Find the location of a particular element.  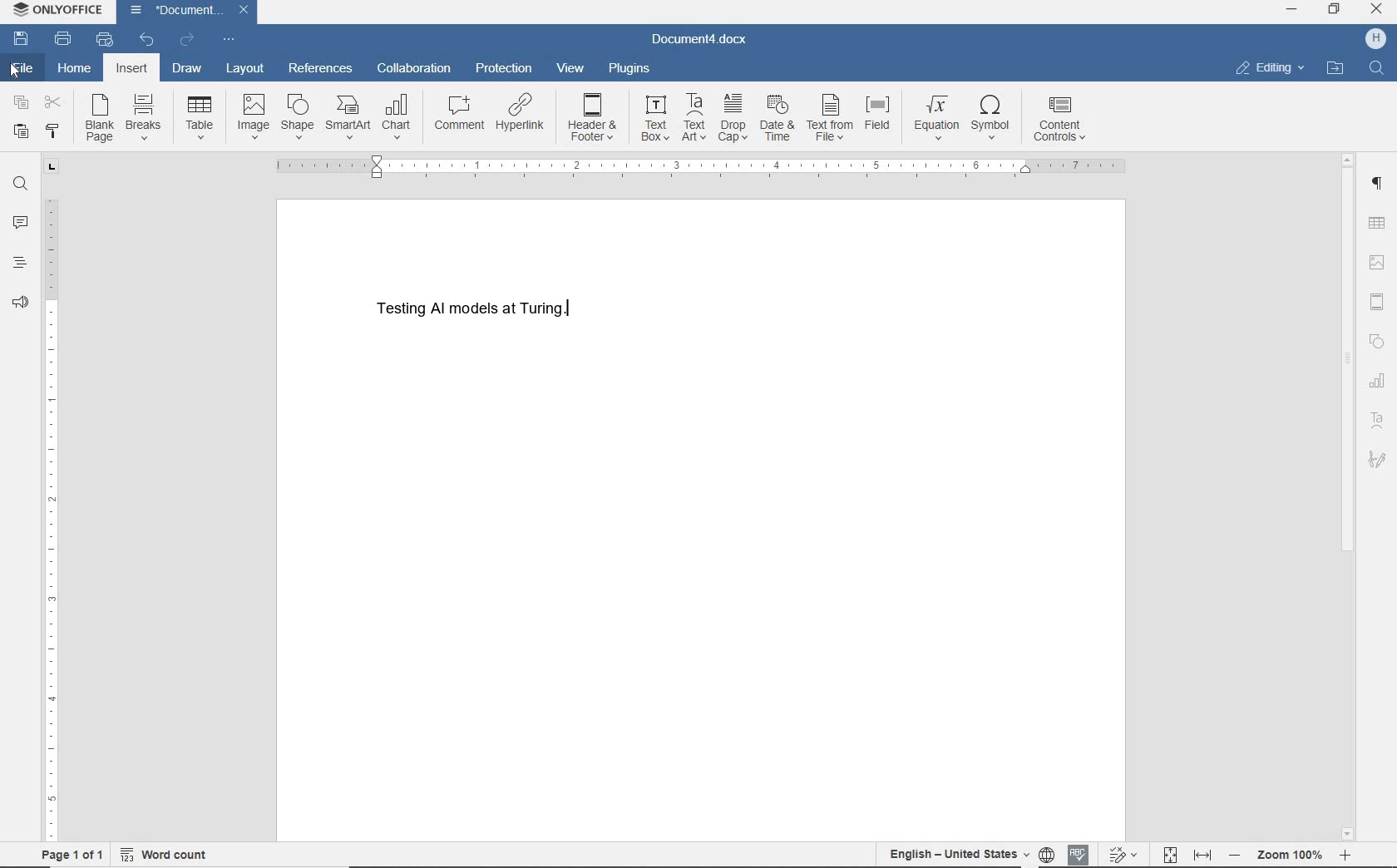

English-United States(text language) is located at coordinates (955, 855).